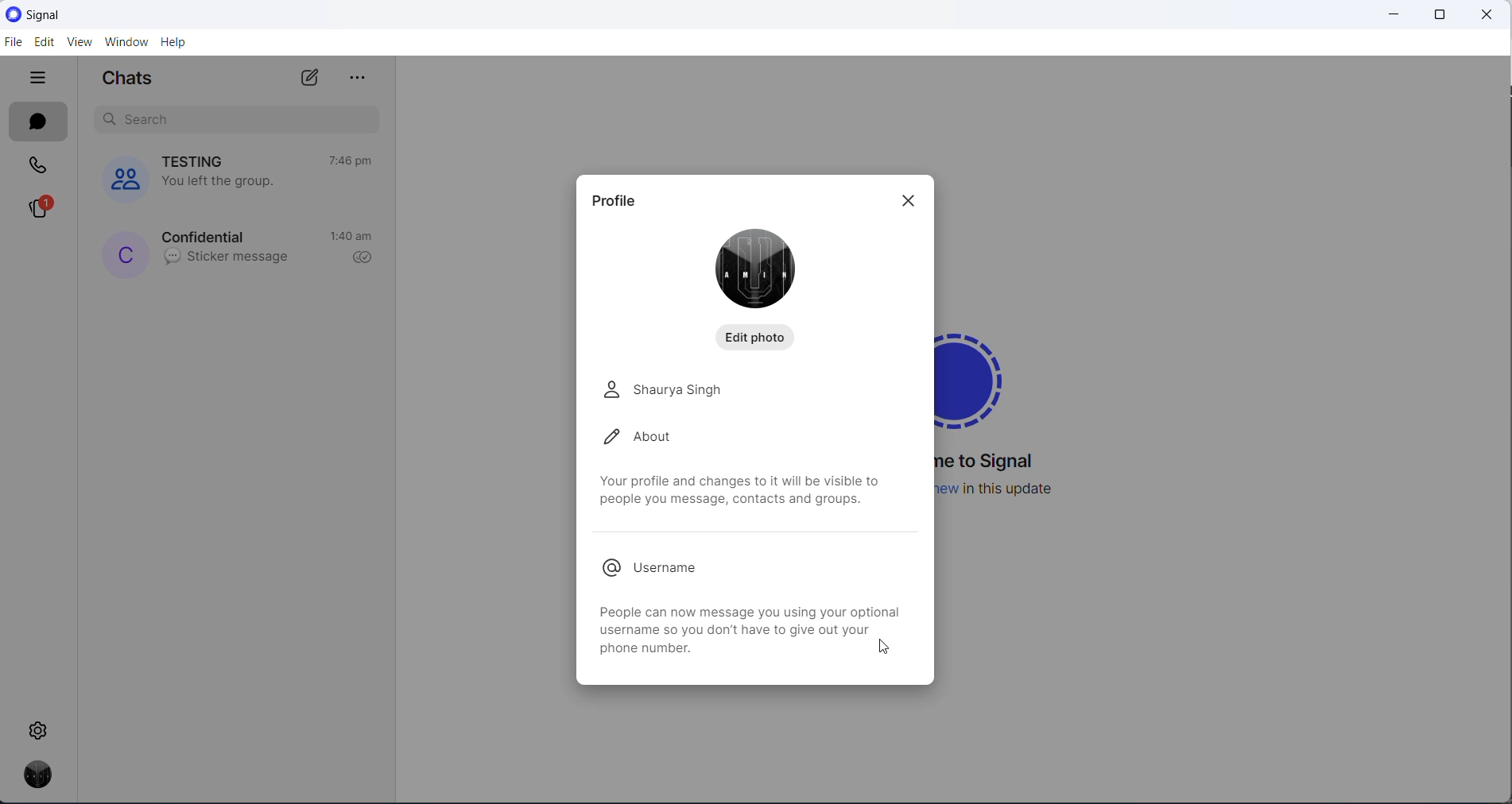 This screenshot has height=804, width=1512. I want to click on signal logo, so click(983, 375).